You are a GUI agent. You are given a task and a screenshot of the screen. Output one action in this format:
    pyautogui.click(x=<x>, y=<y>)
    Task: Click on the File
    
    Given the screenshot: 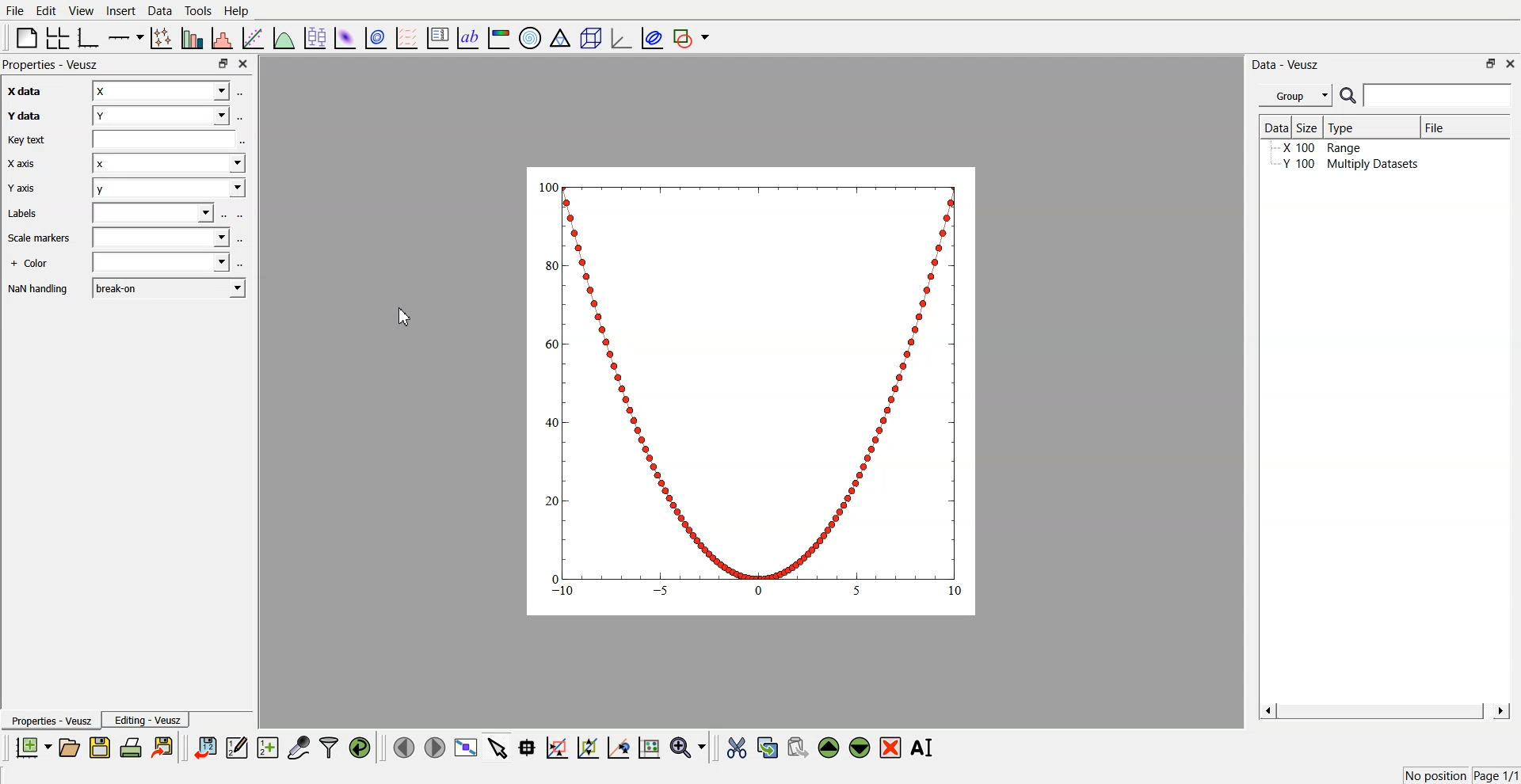 What is the action you would take?
    pyautogui.click(x=1450, y=129)
    